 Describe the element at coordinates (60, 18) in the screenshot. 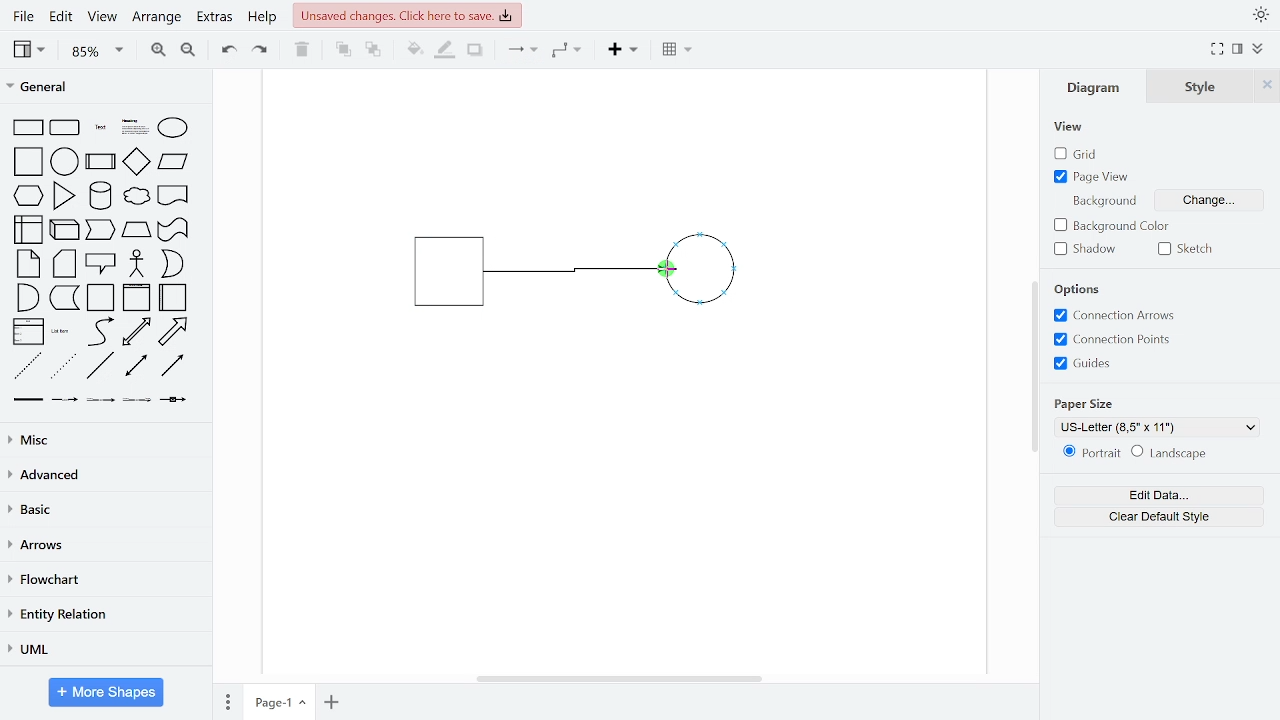

I see `edit` at that location.